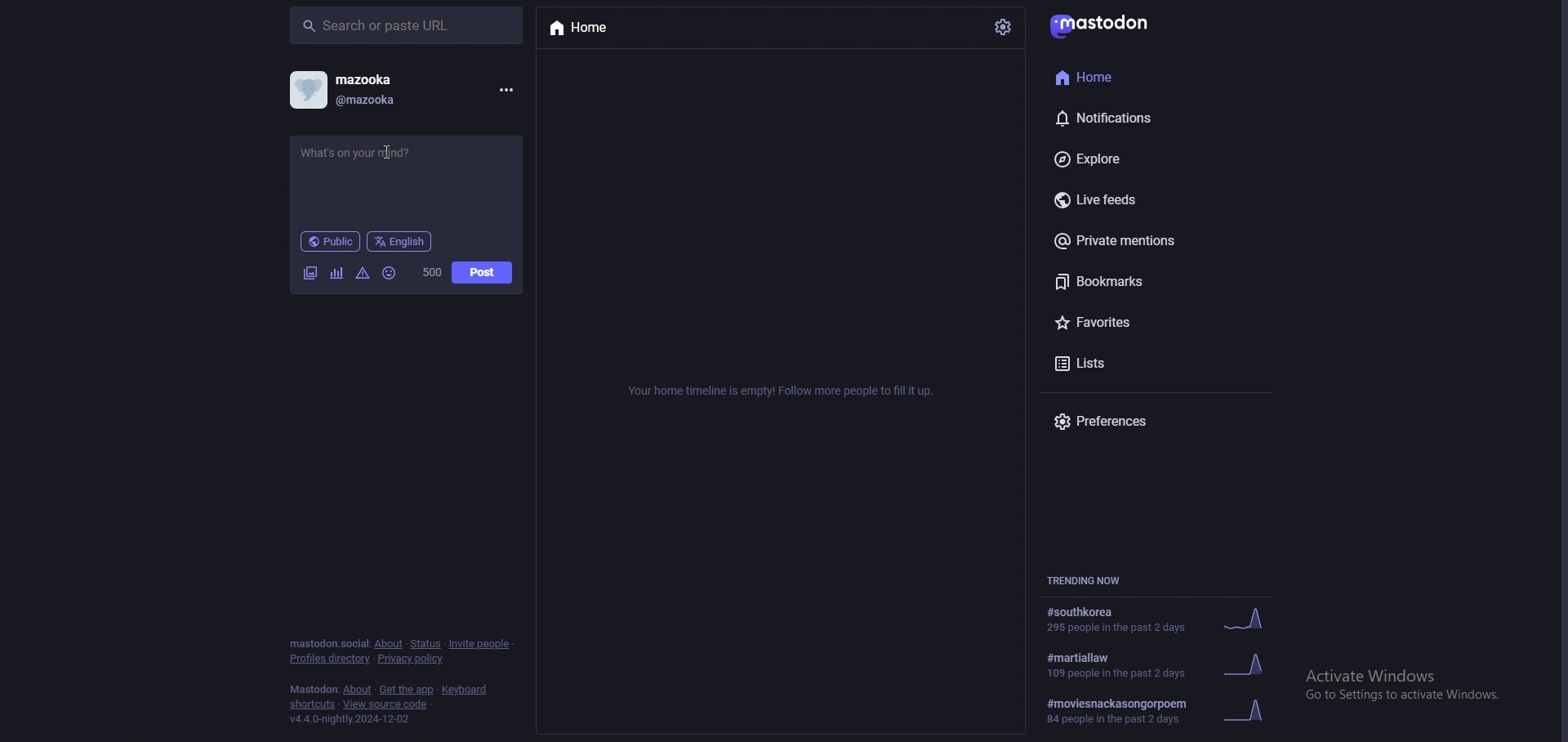 The height and width of the screenshot is (742, 1568). What do you see at coordinates (353, 718) in the screenshot?
I see `version` at bounding box center [353, 718].